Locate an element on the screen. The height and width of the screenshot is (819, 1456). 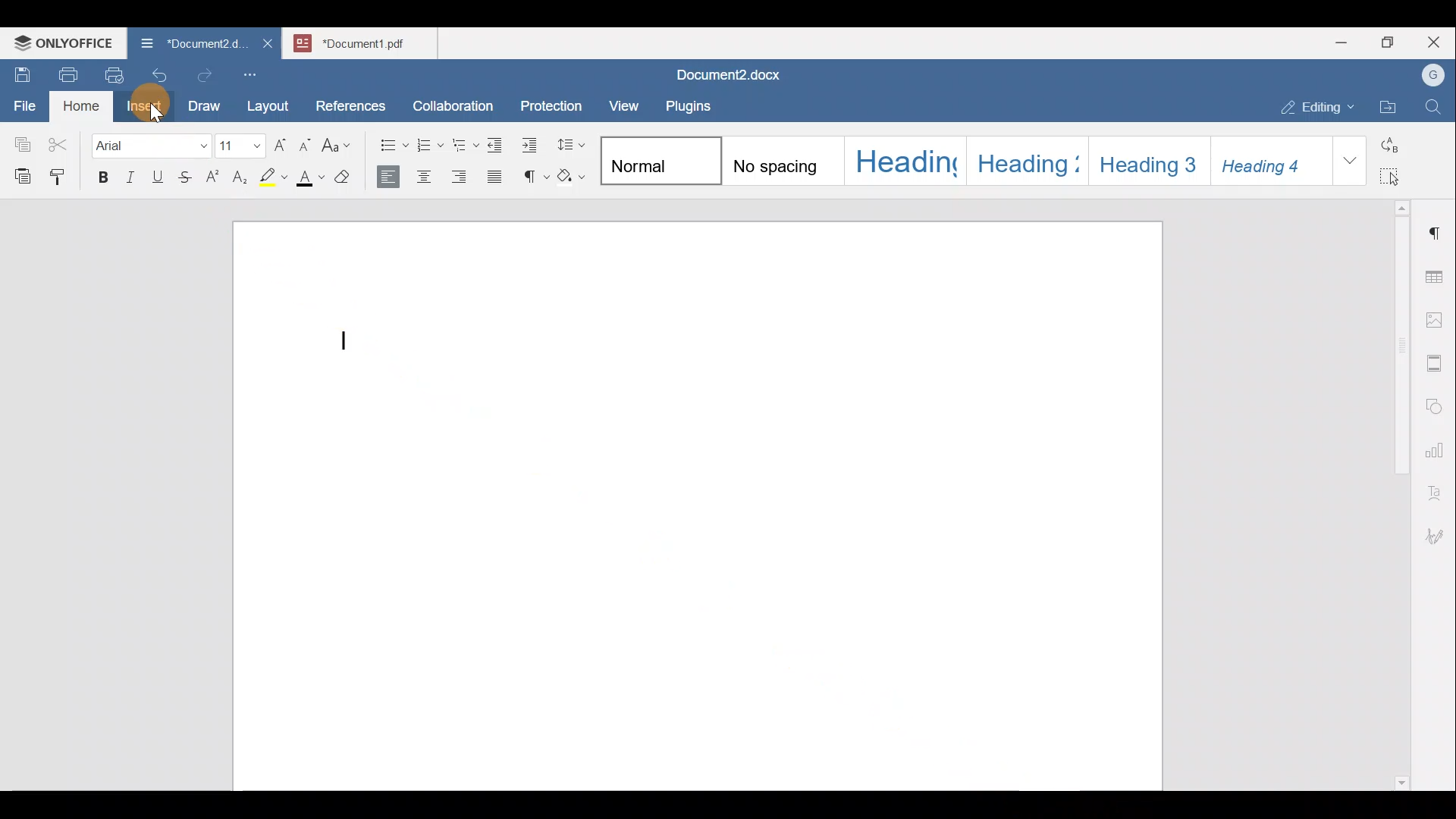
Editing mode is located at coordinates (1318, 104).